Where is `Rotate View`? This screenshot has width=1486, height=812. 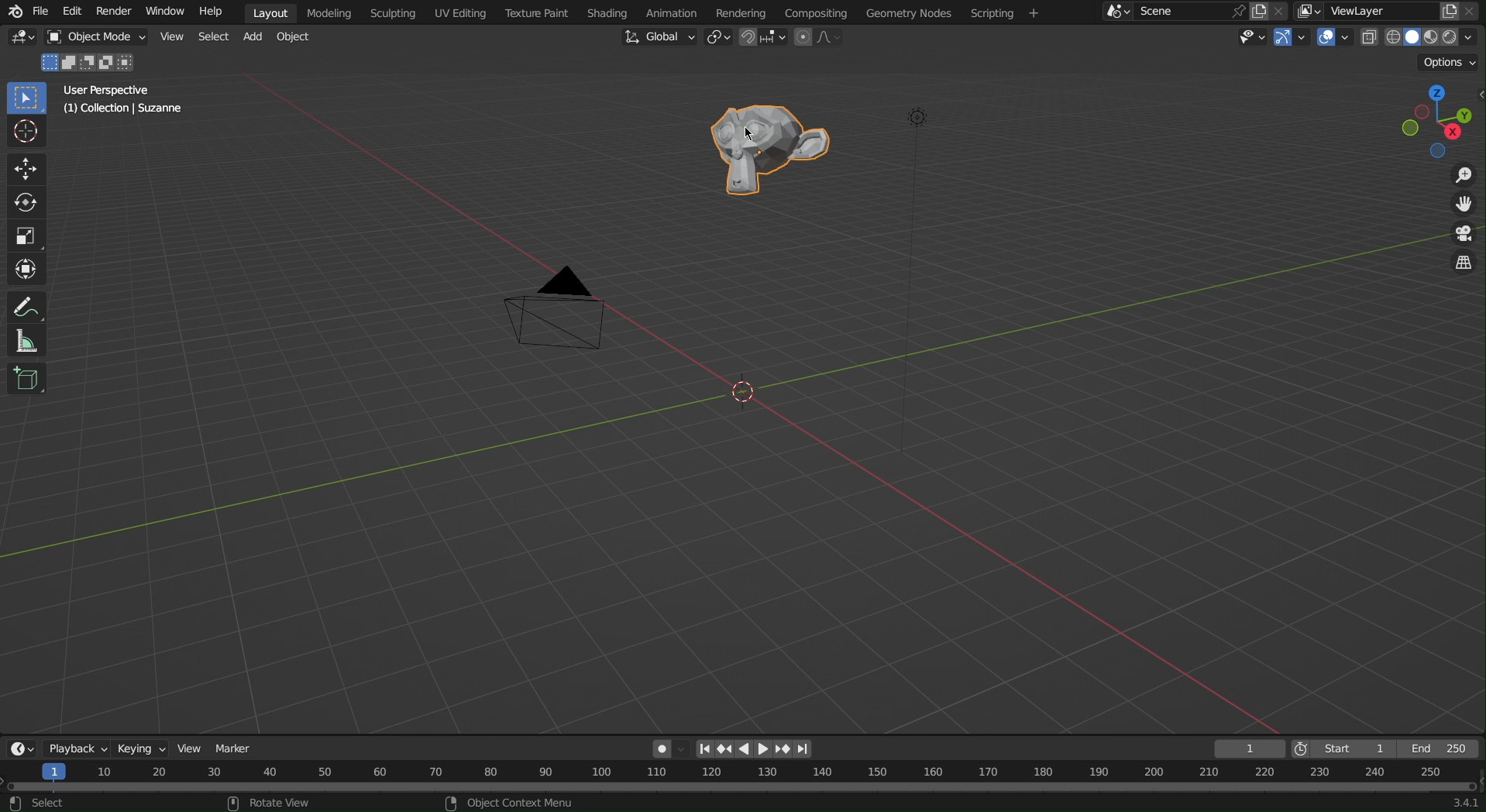 Rotate View is located at coordinates (280, 803).